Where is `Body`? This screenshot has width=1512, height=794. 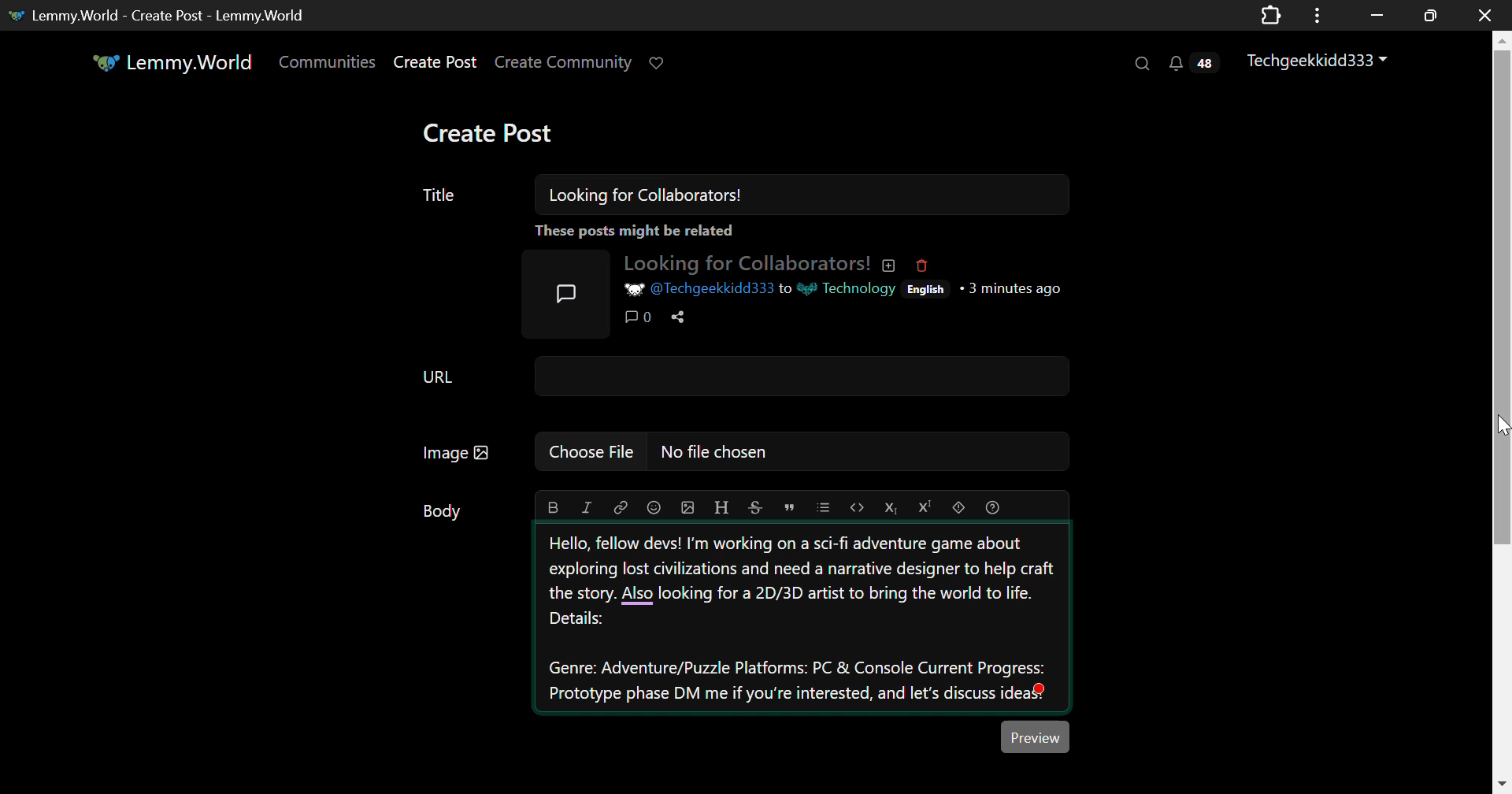
Body is located at coordinates (445, 520).